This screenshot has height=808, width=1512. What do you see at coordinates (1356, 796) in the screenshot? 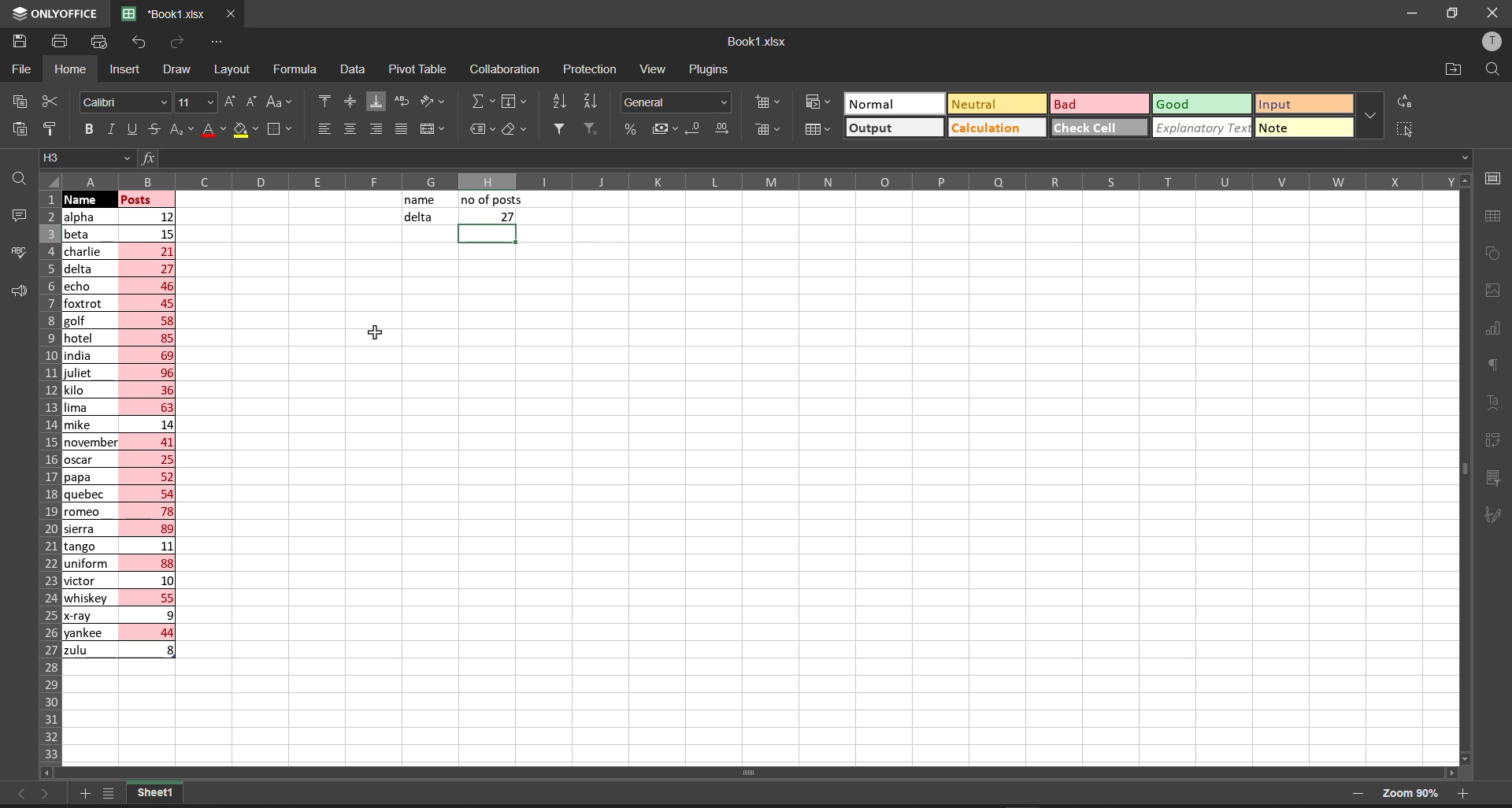
I see `zoom out` at bounding box center [1356, 796].